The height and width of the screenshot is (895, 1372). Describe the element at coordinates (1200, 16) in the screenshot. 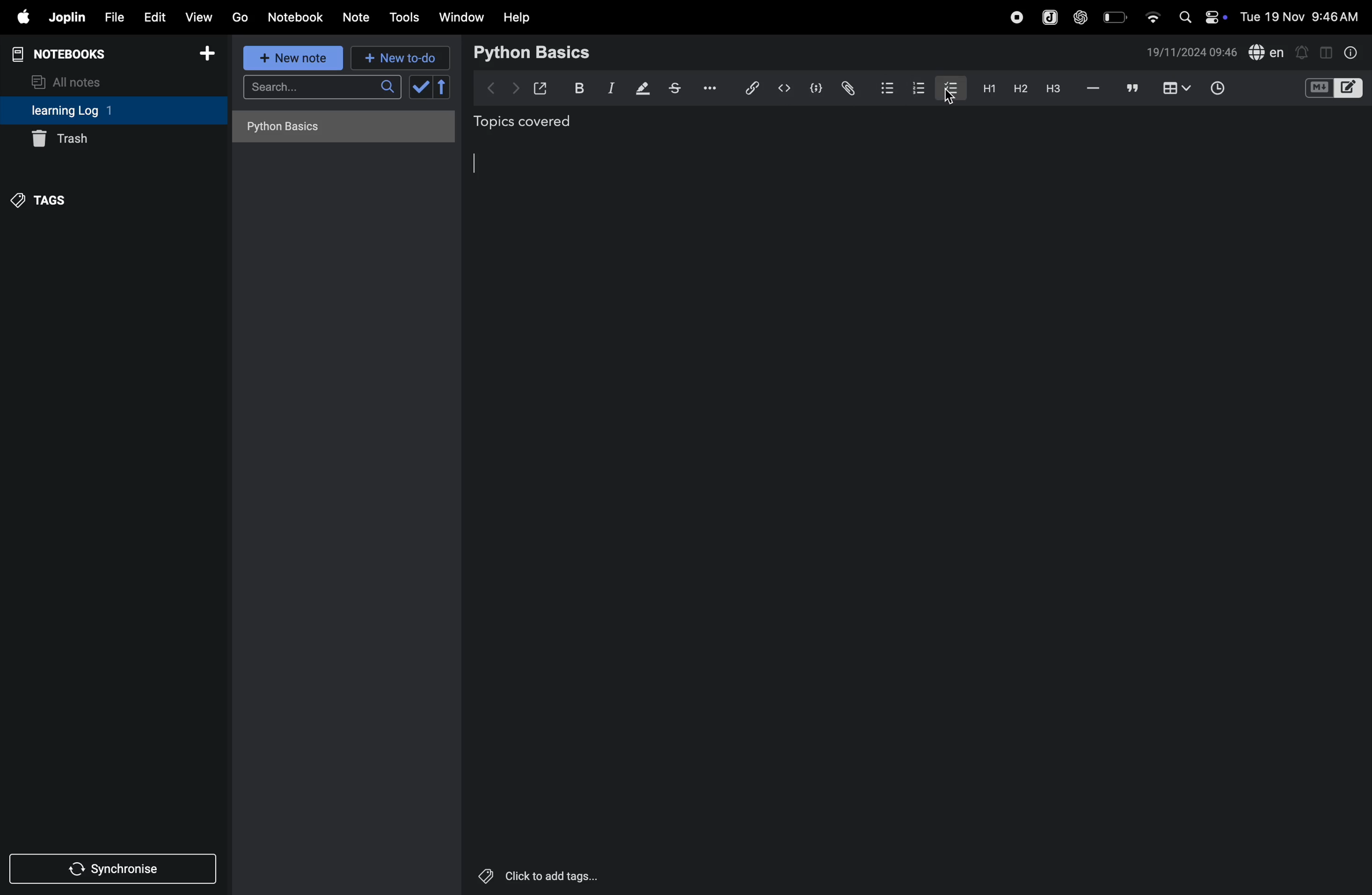

I see `apple widgets` at that location.